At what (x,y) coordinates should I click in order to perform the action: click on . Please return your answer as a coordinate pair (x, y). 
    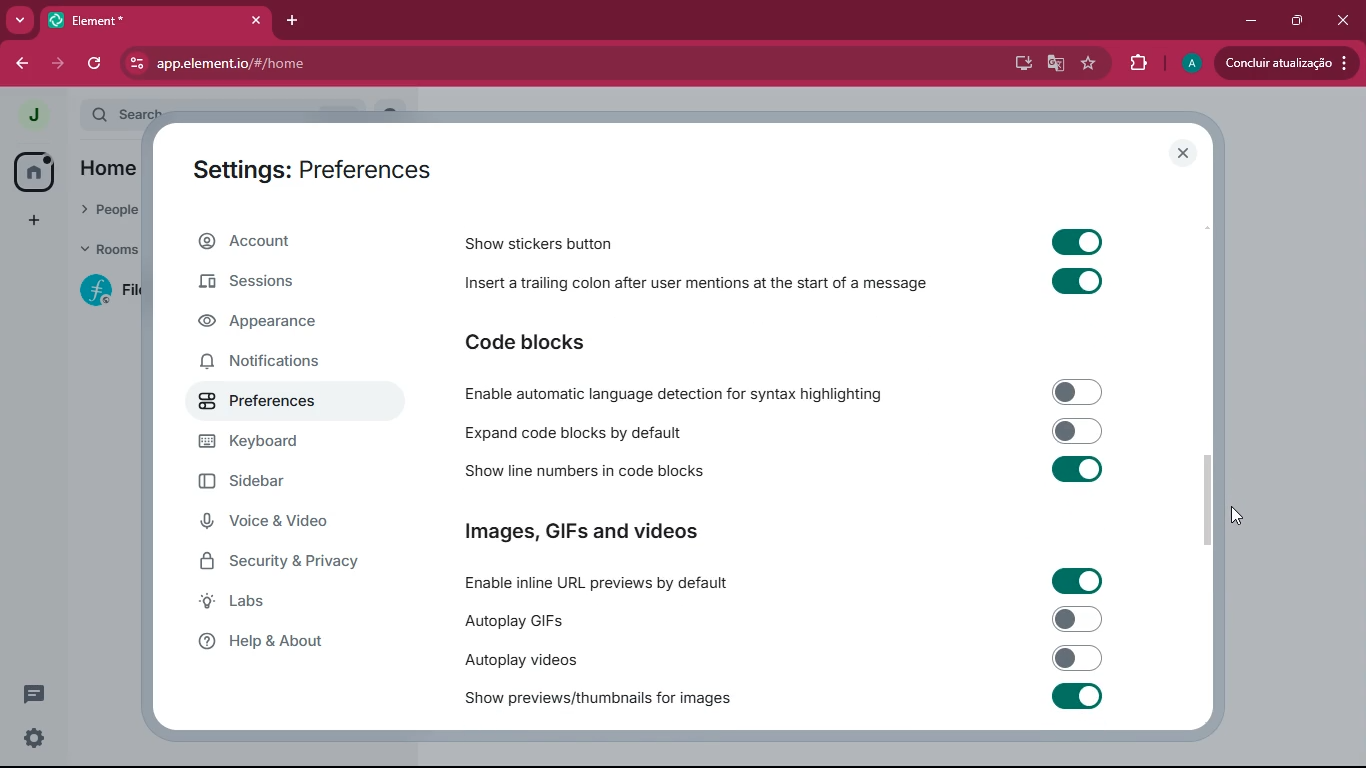
    Looking at the image, I should click on (1077, 619).